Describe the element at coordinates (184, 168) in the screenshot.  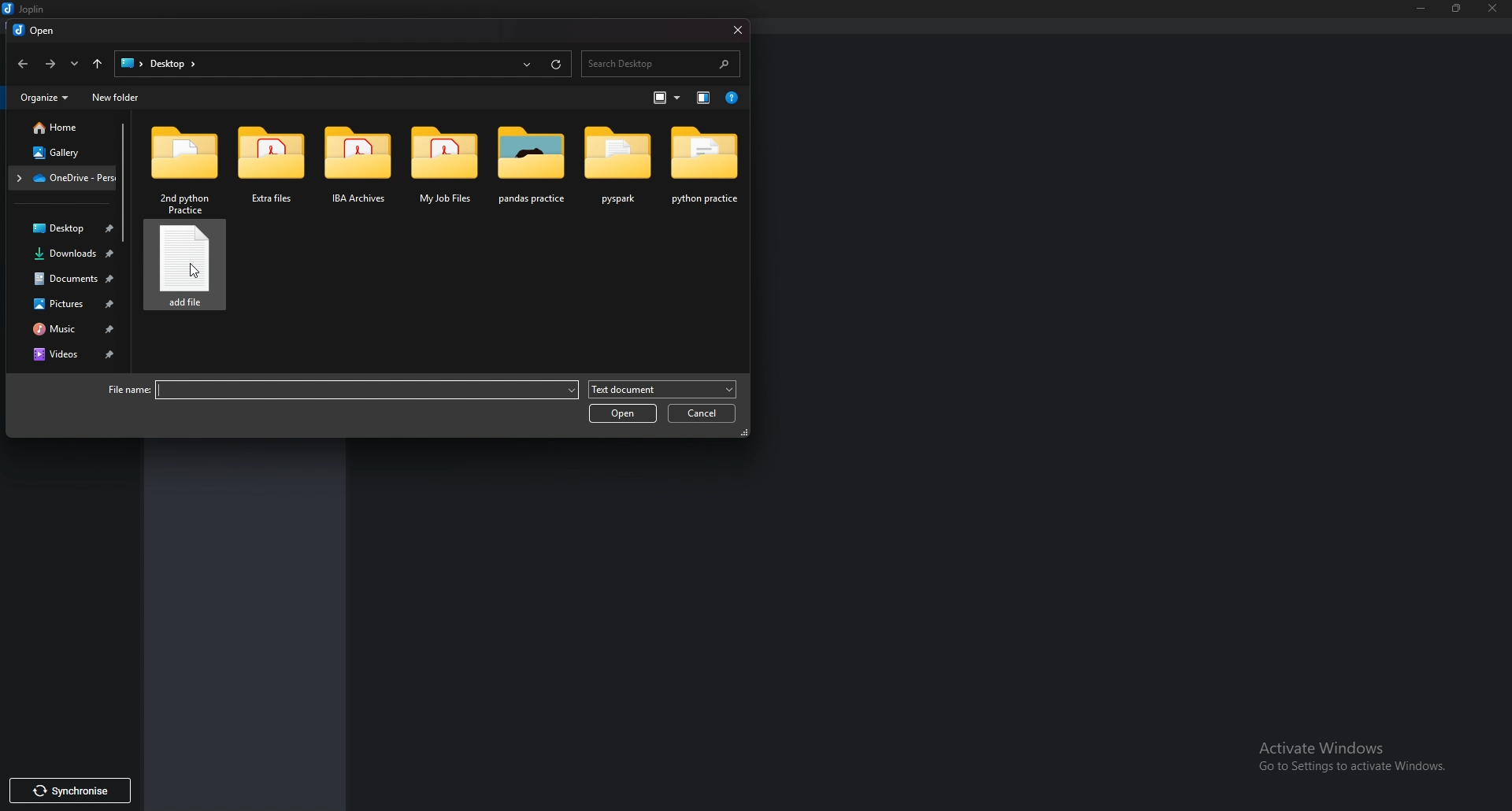
I see `Folder` at that location.